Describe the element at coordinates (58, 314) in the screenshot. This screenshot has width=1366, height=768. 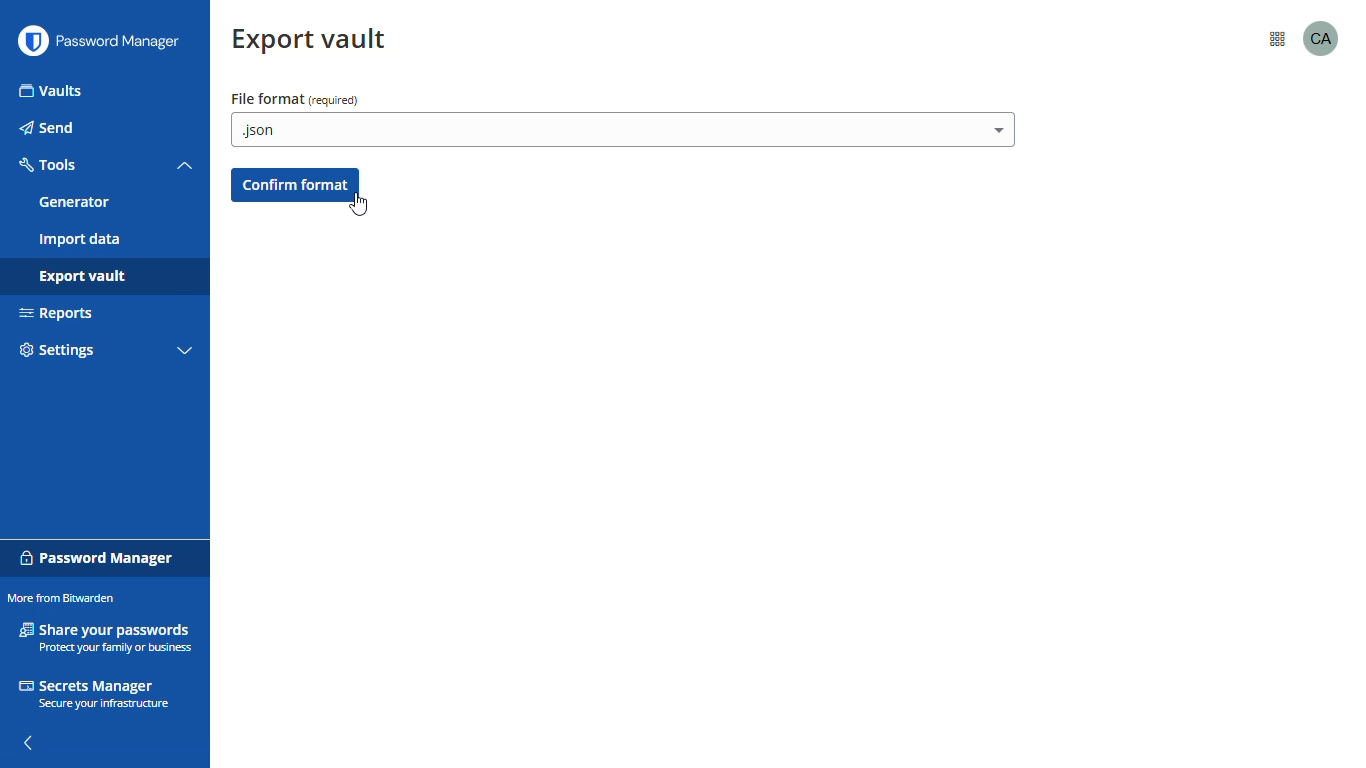
I see `reports` at that location.